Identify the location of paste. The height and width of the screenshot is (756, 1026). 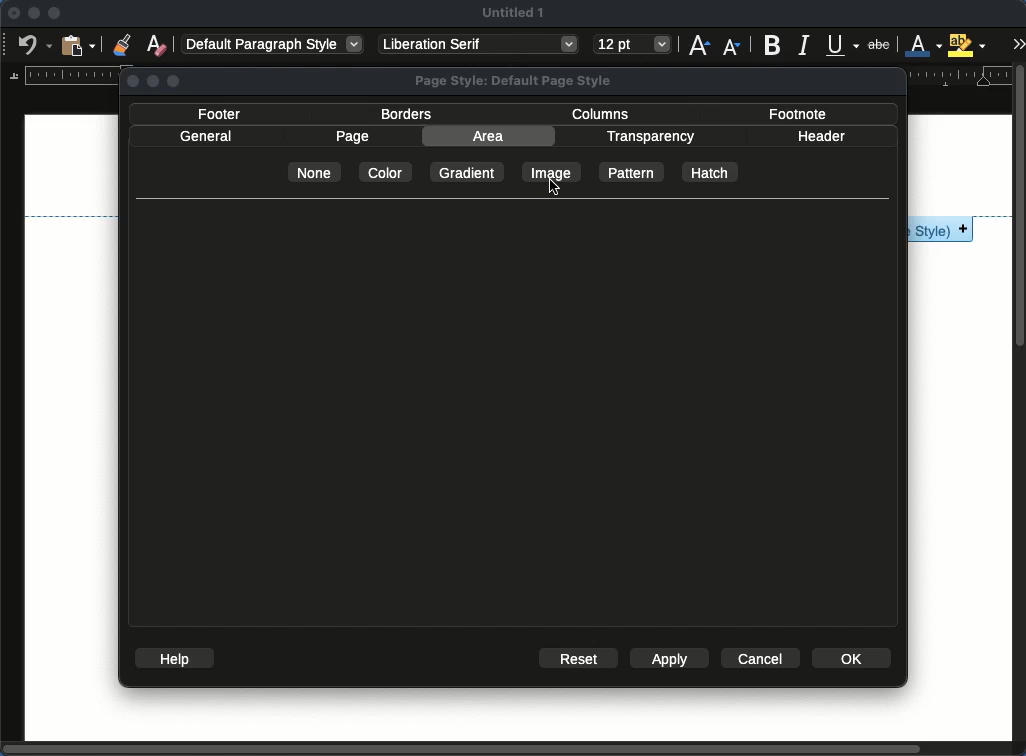
(78, 44).